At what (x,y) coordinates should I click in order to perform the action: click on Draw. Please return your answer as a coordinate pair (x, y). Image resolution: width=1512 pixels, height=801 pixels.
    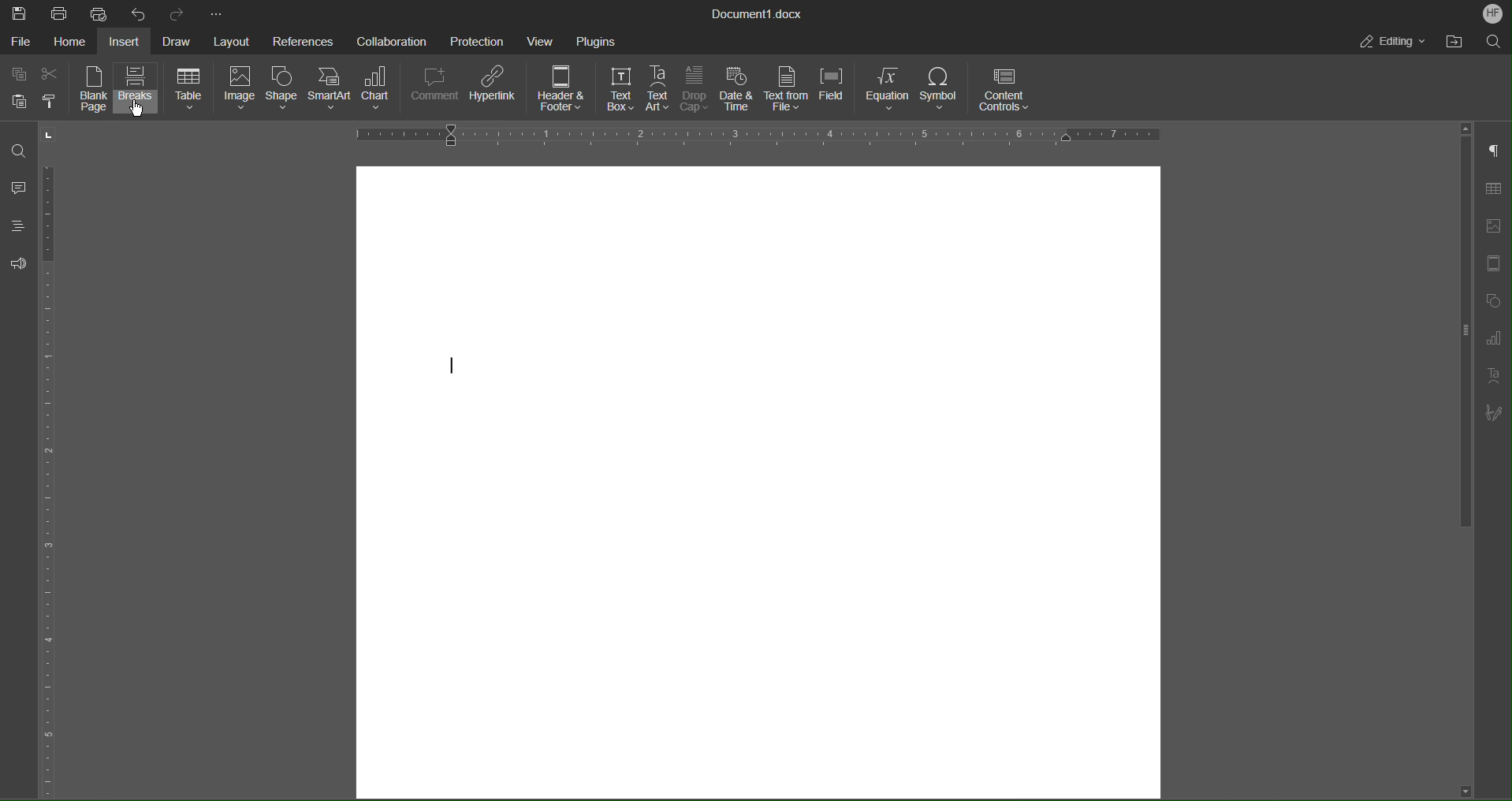
    Looking at the image, I should click on (180, 39).